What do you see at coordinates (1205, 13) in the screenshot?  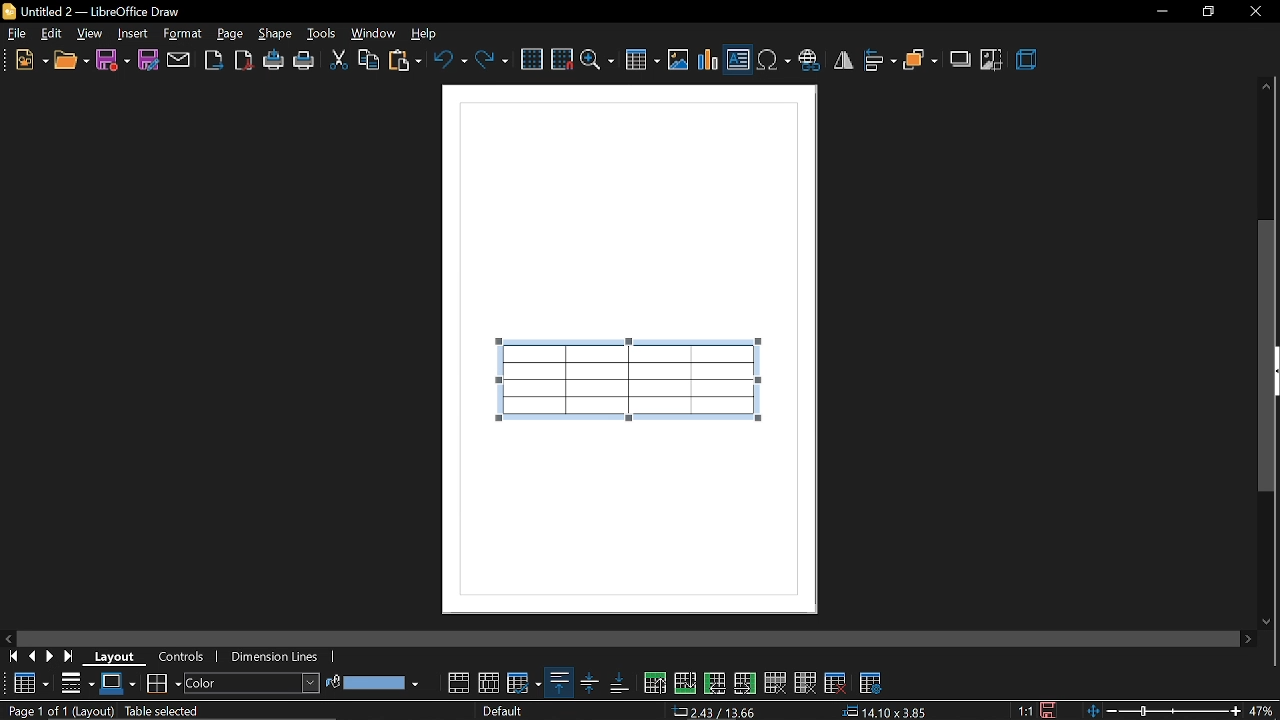 I see `Restore down` at bounding box center [1205, 13].